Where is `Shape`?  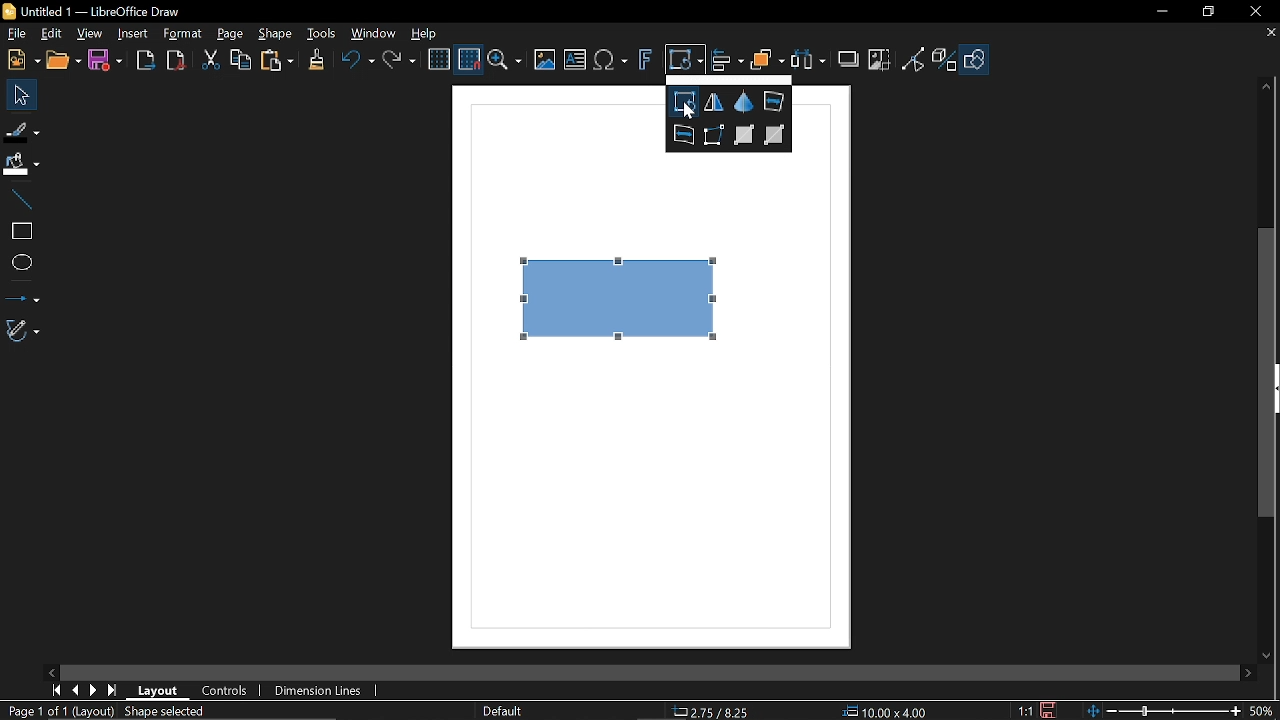
Shape is located at coordinates (977, 63).